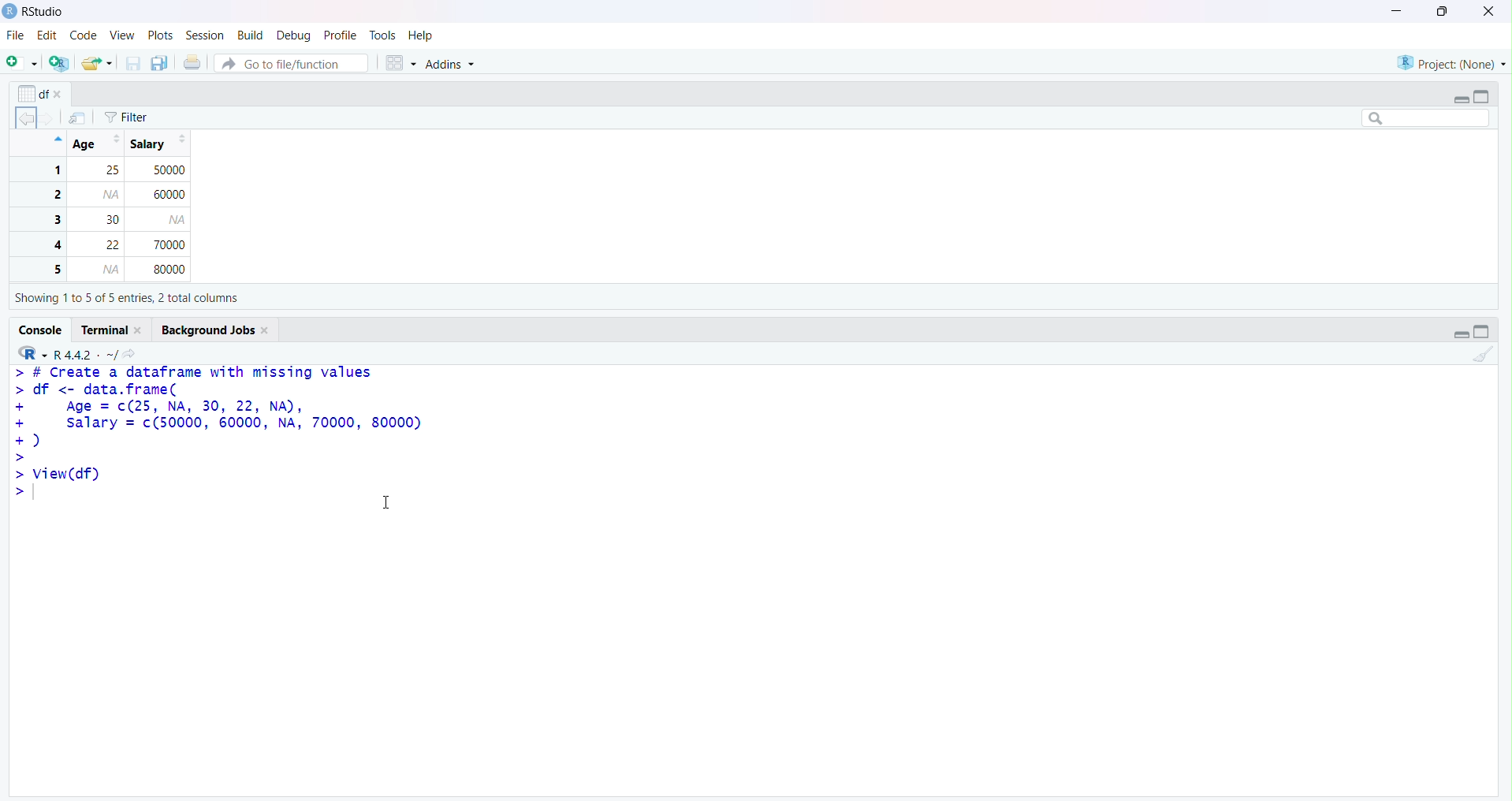 The width and height of the screenshot is (1512, 801). I want to click on Plots, so click(158, 35).